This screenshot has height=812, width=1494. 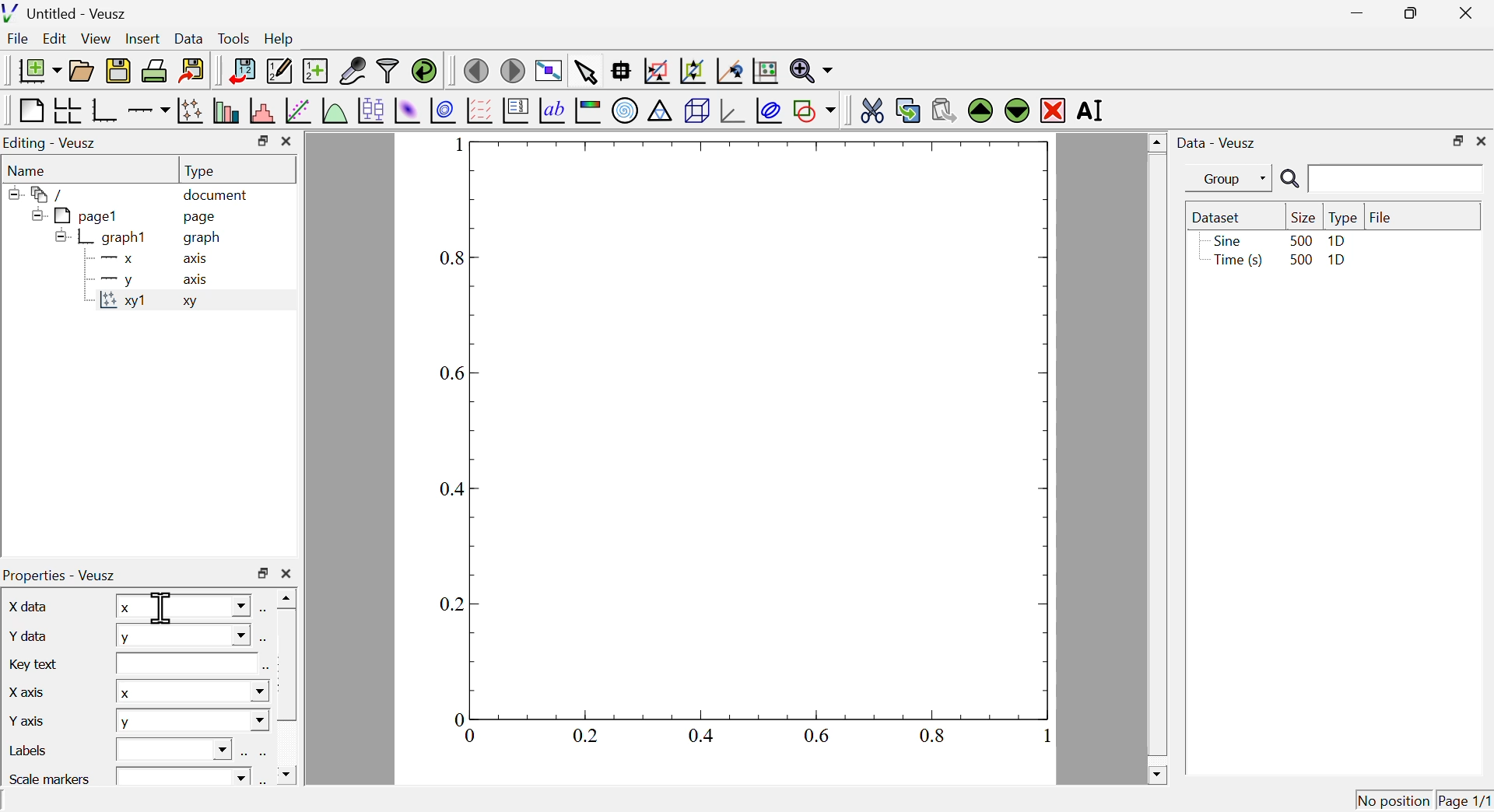 What do you see at coordinates (124, 305) in the screenshot?
I see `xy1` at bounding box center [124, 305].